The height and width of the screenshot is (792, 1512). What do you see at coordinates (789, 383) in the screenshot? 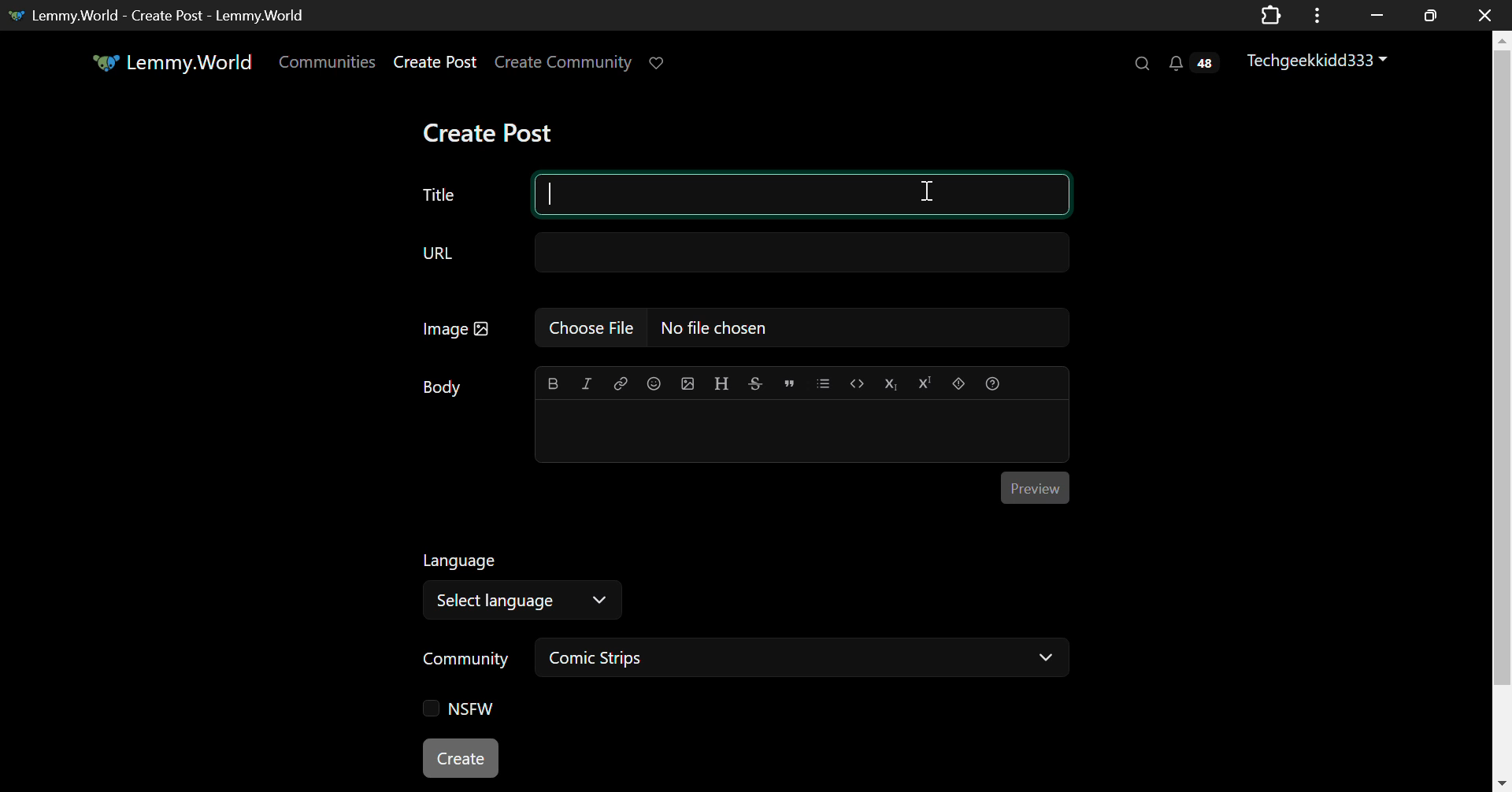
I see `quote` at bounding box center [789, 383].